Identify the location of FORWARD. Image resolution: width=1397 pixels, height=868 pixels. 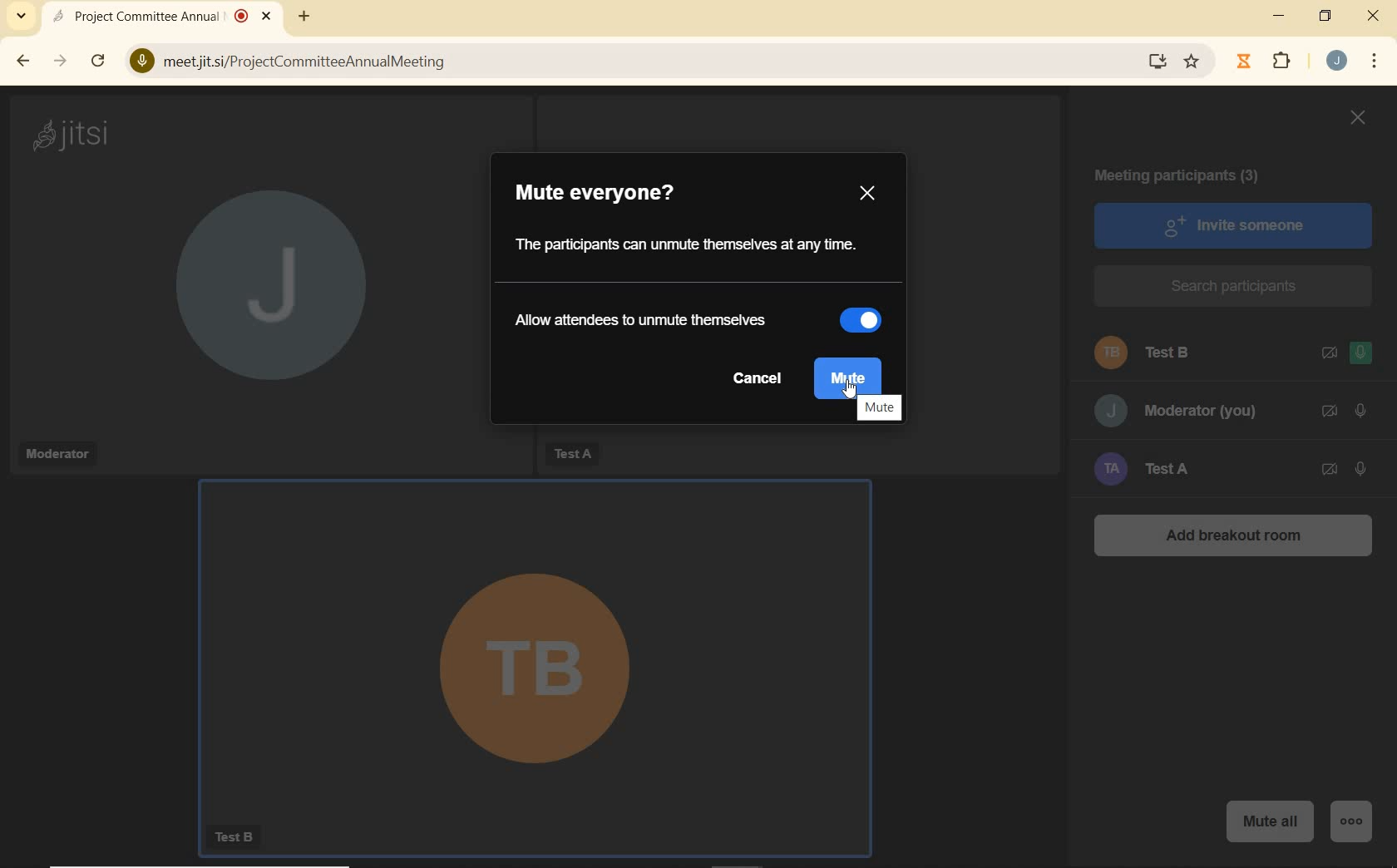
(60, 63).